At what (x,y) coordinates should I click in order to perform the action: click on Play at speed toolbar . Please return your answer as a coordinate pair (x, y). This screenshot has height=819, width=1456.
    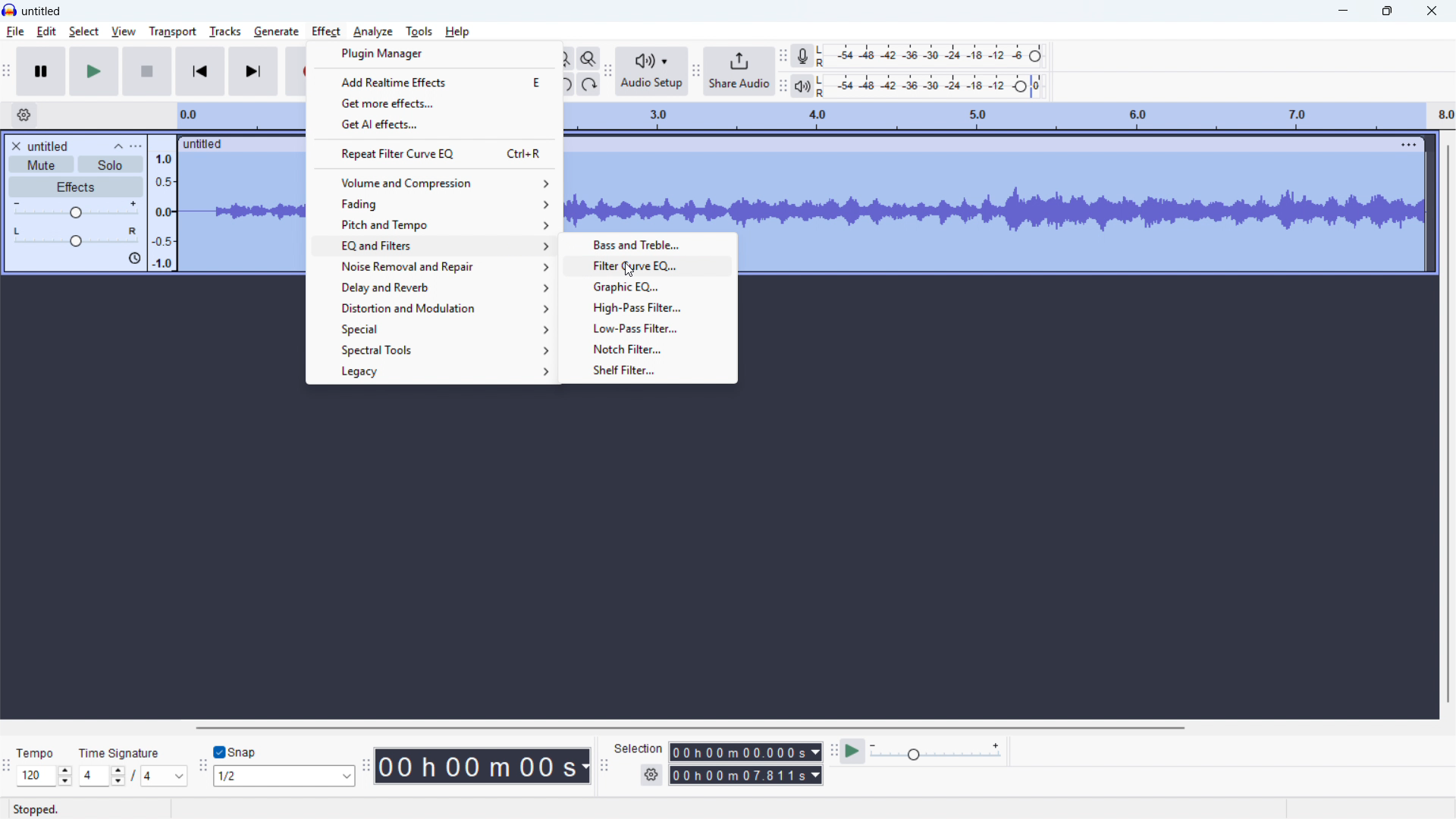
    Looking at the image, I should click on (831, 751).